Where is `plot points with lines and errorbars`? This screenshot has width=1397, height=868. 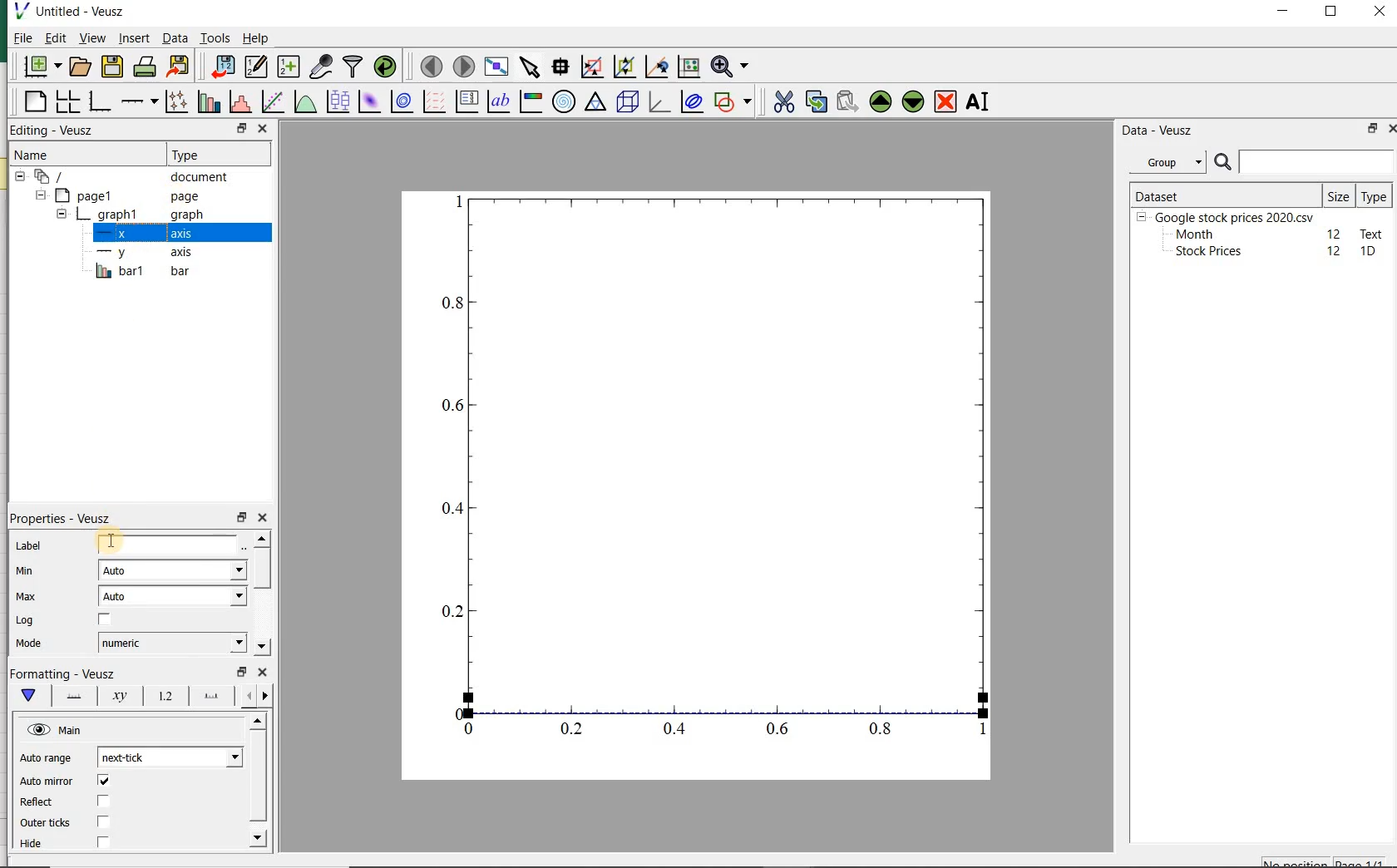
plot points with lines and errorbars is located at coordinates (173, 103).